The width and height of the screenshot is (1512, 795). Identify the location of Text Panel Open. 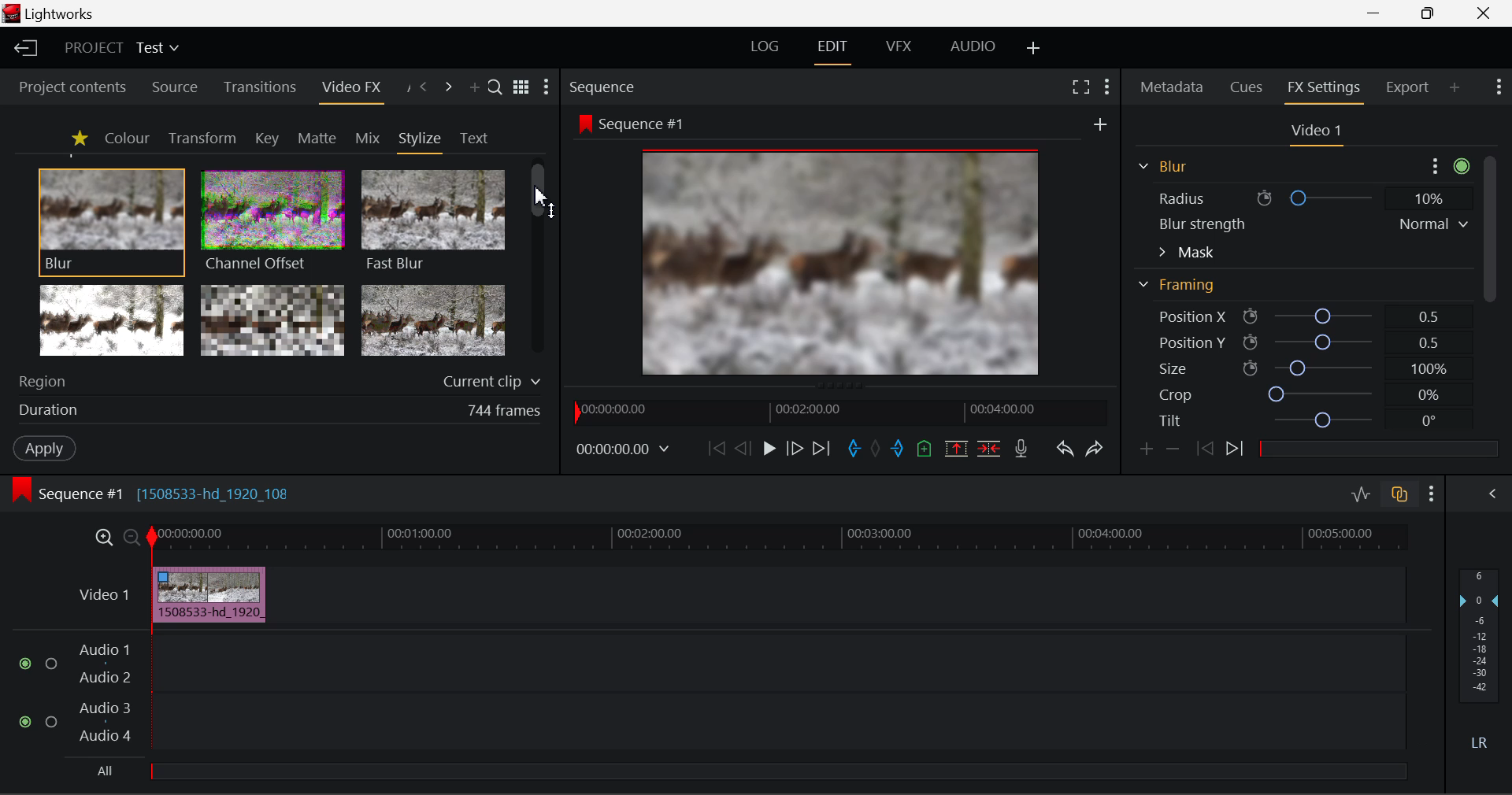
(476, 137).